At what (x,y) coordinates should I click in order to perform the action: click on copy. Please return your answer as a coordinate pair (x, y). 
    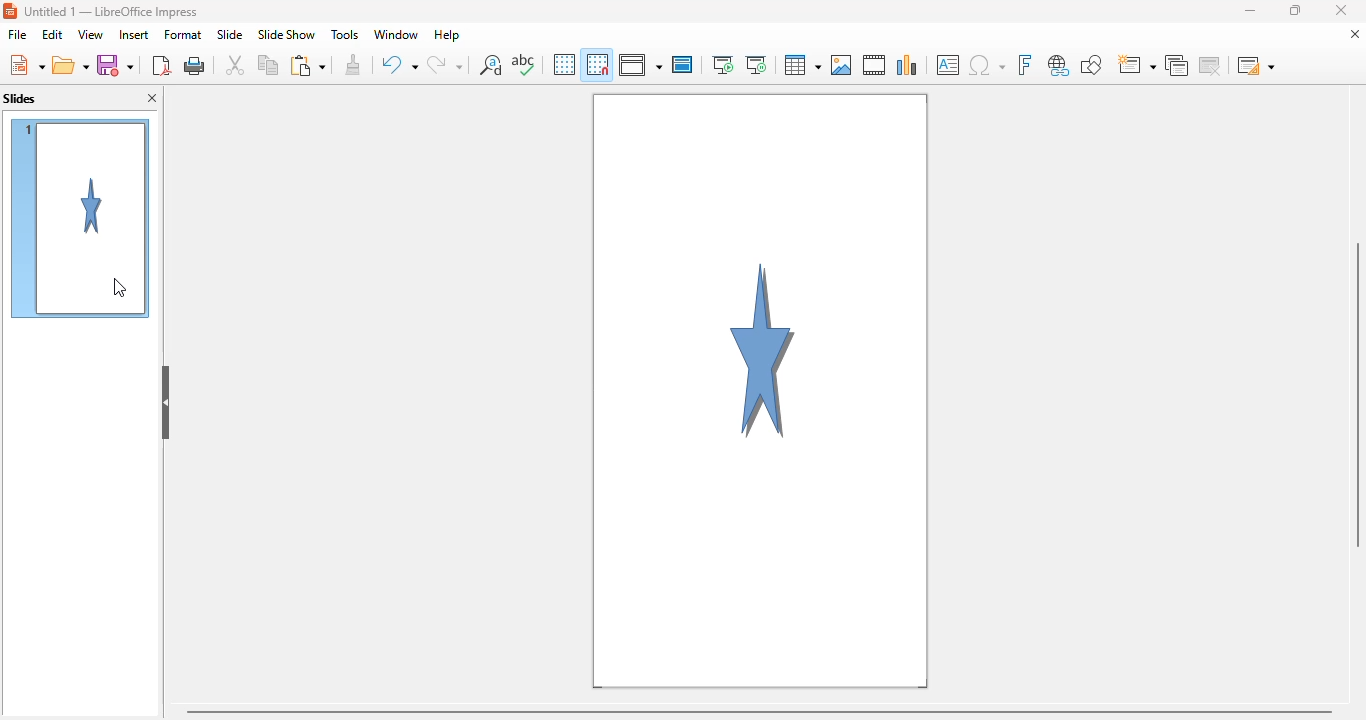
    Looking at the image, I should click on (269, 65).